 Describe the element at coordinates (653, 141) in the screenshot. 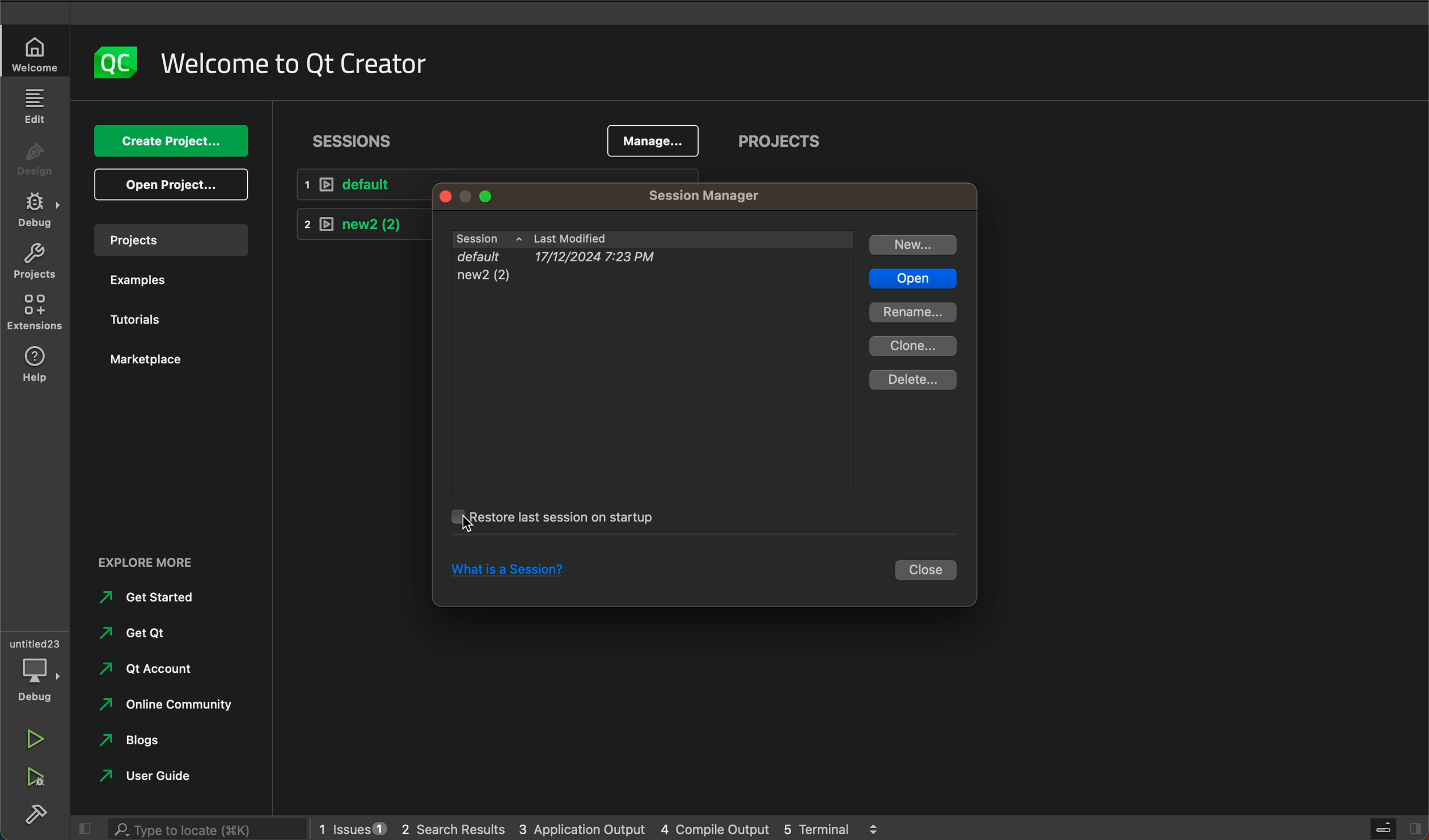

I see `manage` at that location.